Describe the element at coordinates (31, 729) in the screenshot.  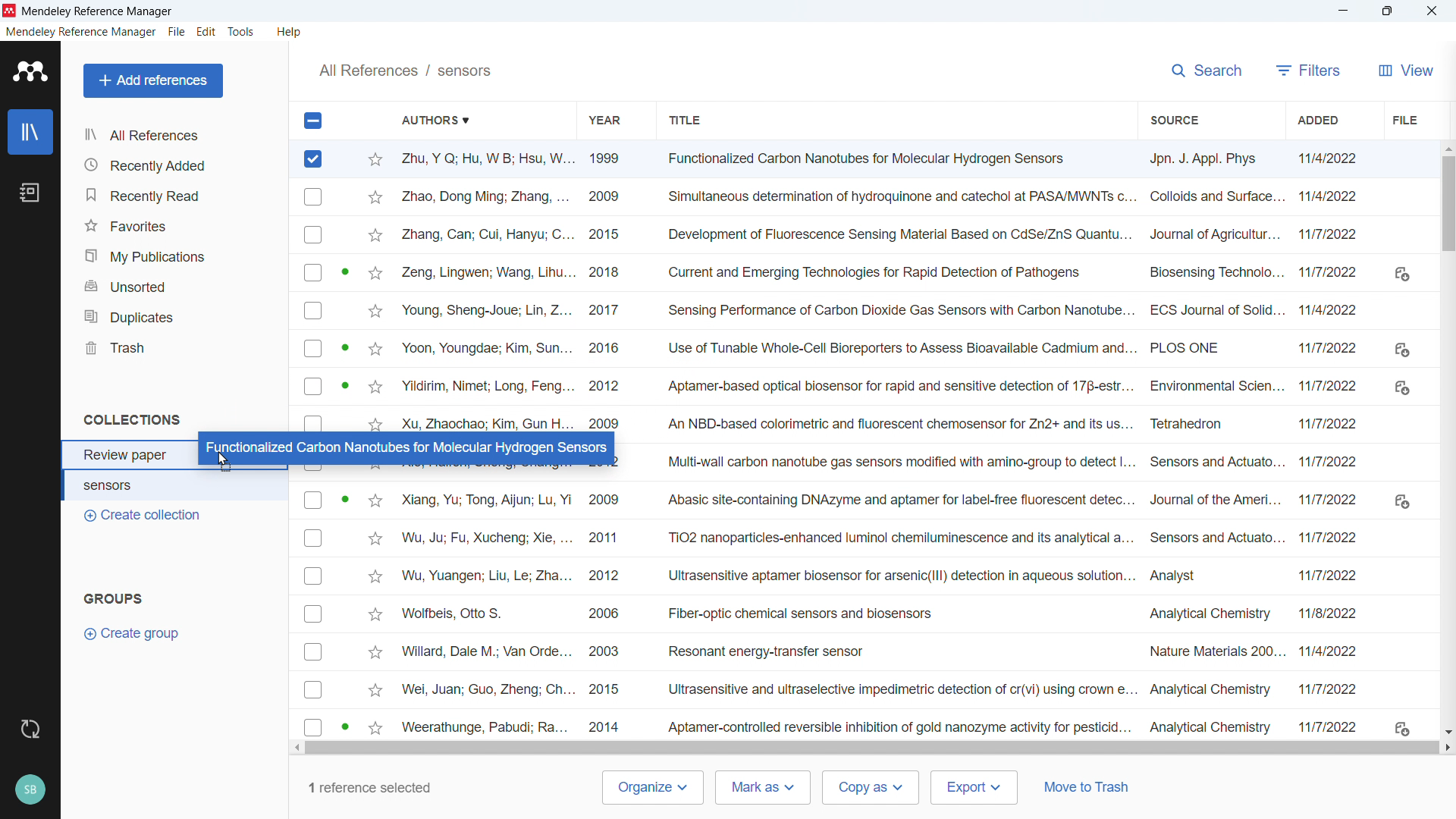
I see `sync ` at that location.